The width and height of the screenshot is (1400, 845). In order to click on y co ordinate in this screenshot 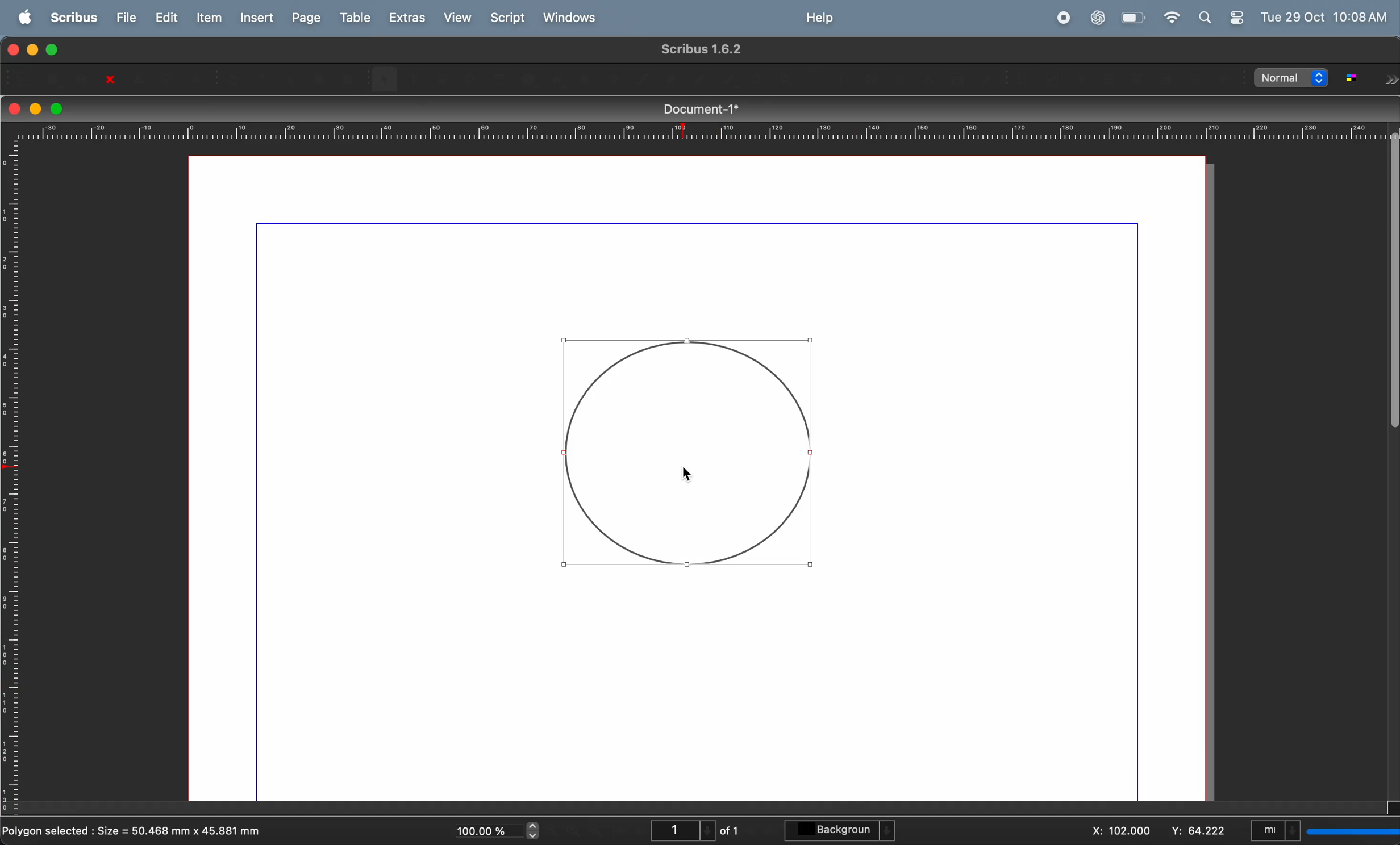, I will do `click(1197, 830)`.